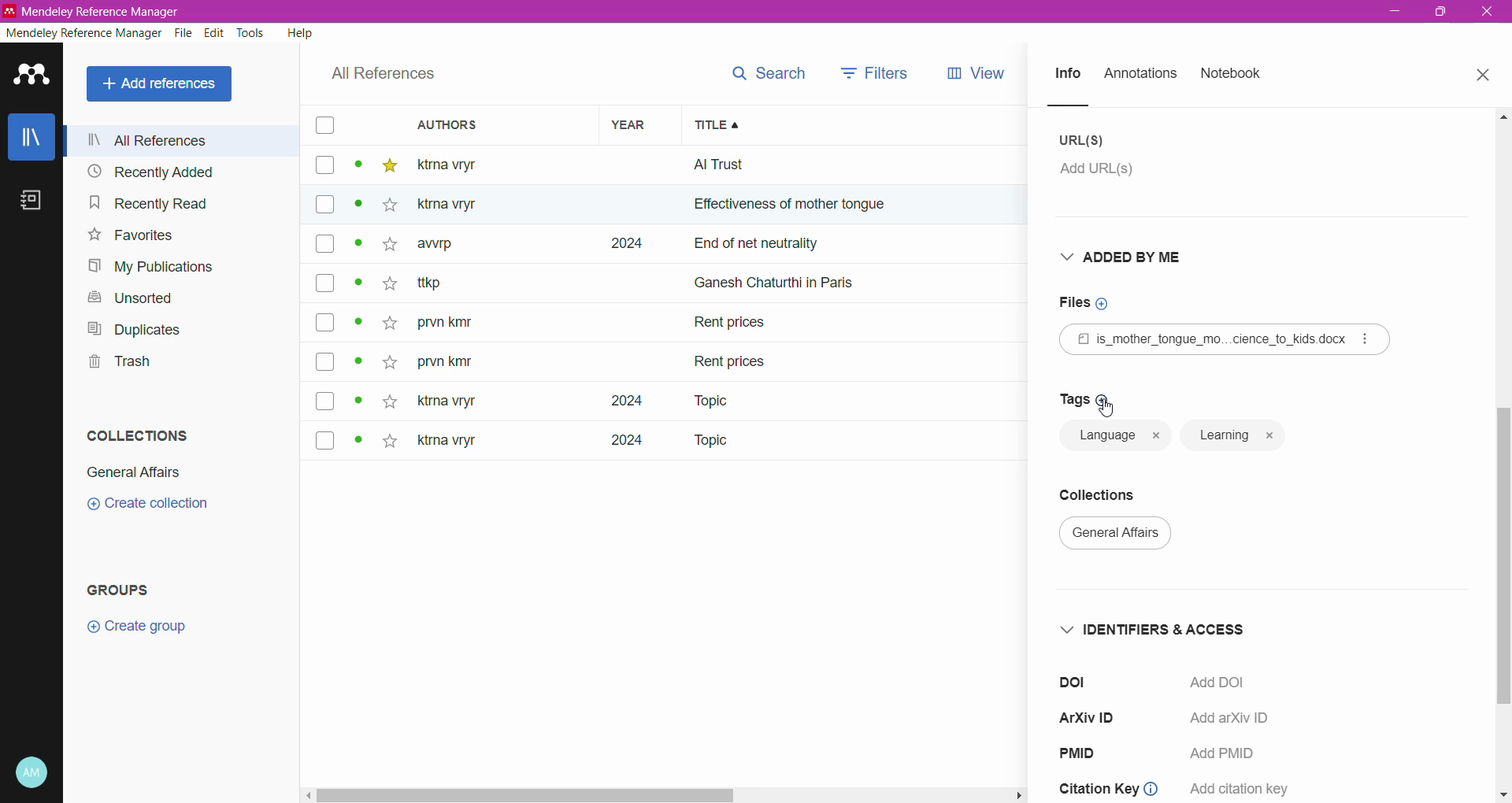 This screenshot has width=1512, height=803. Describe the element at coordinates (389, 166) in the screenshot. I see `star` at that location.